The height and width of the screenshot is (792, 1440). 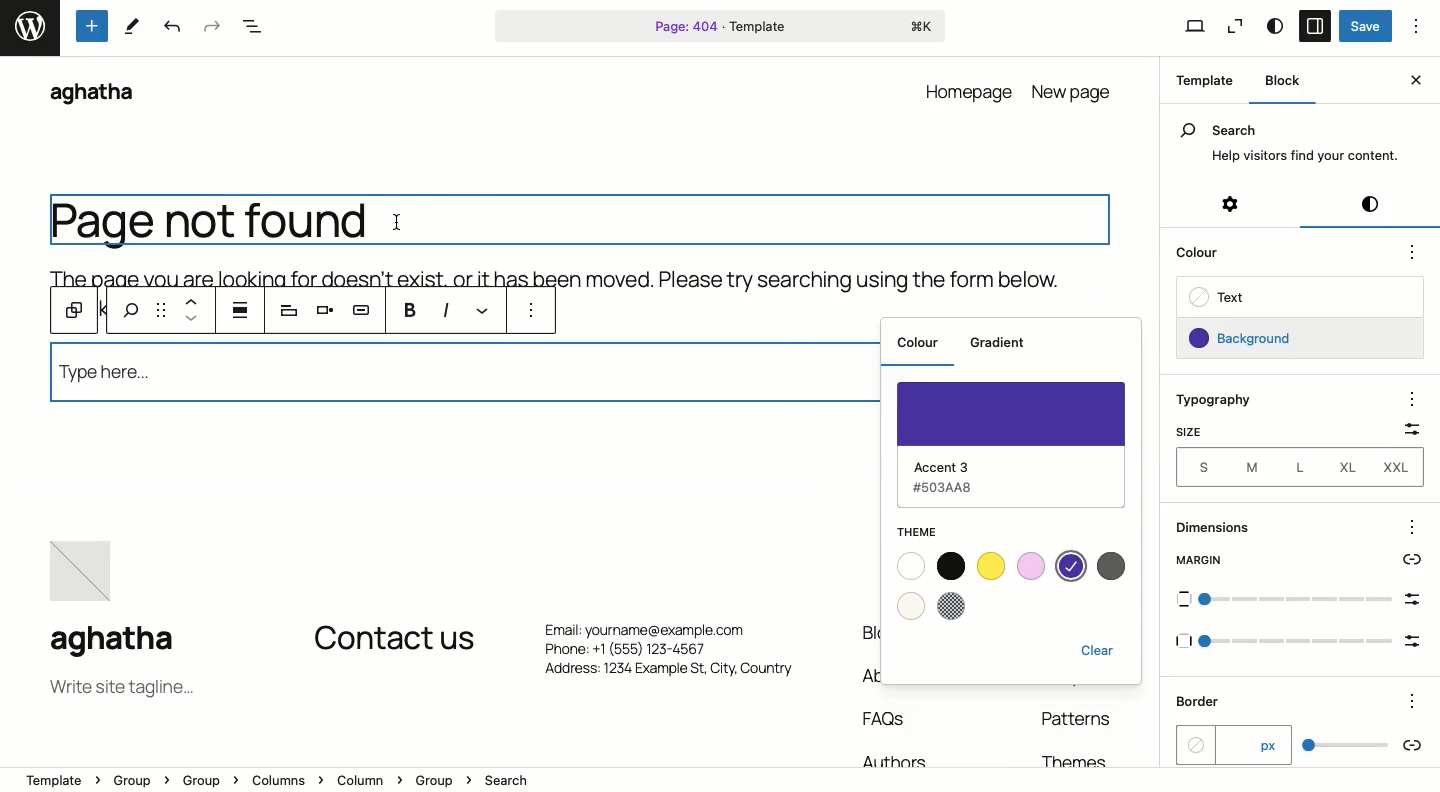 I want to click on aghatha, so click(x=129, y=643).